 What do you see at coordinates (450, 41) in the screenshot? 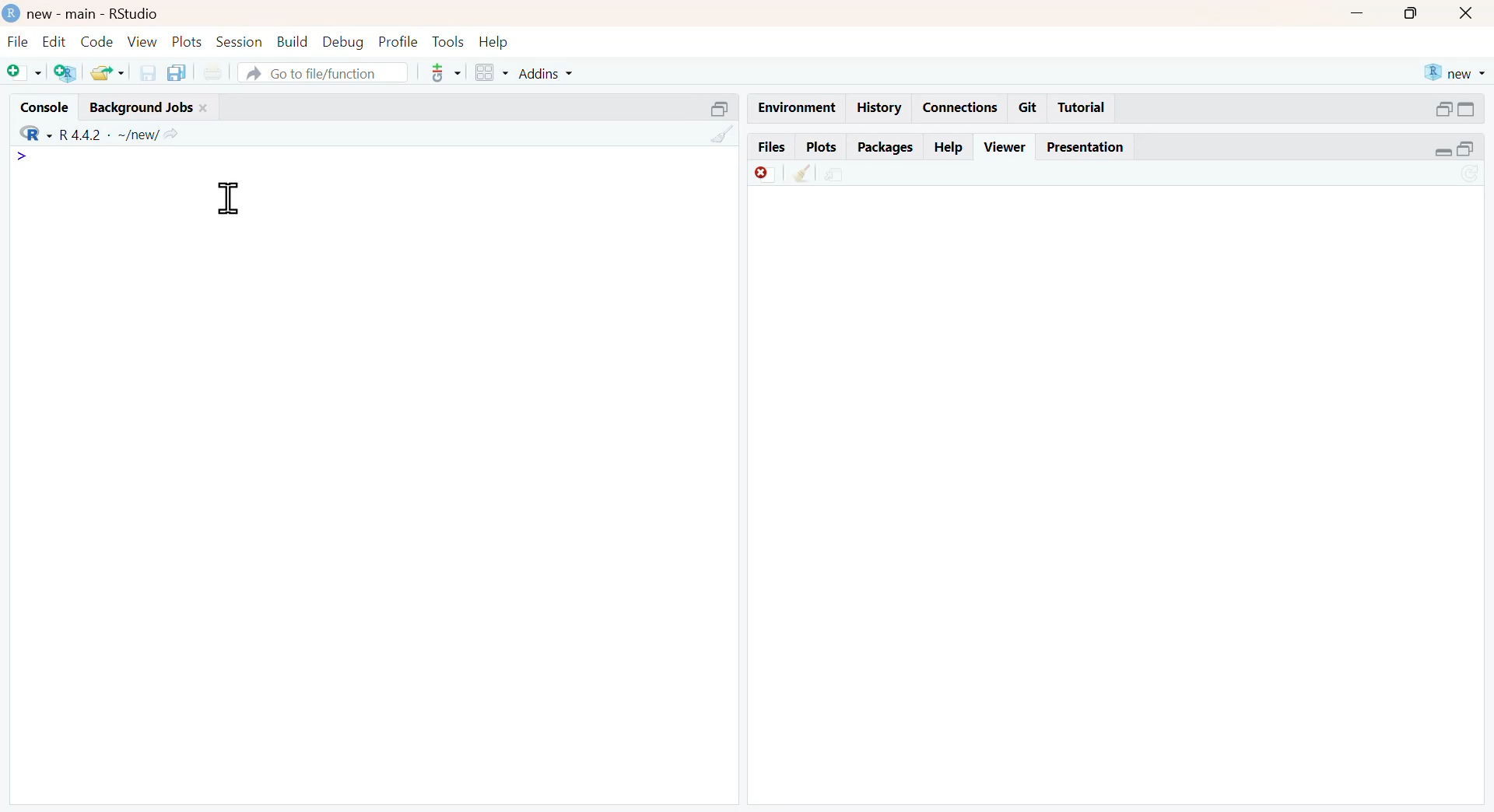
I see `tools` at bounding box center [450, 41].